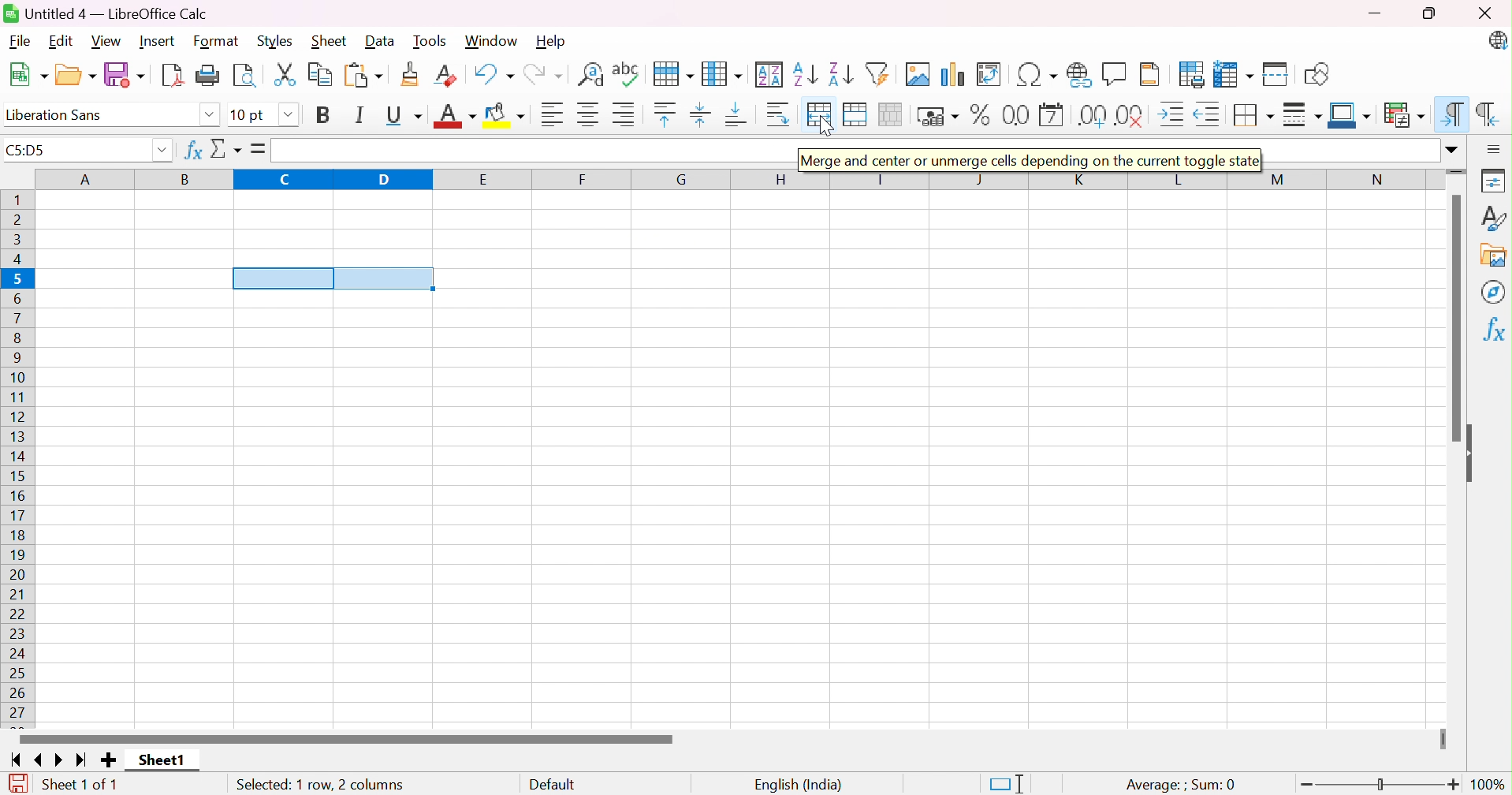 The width and height of the screenshot is (1512, 795). What do you see at coordinates (1454, 785) in the screenshot?
I see `Zoom In` at bounding box center [1454, 785].